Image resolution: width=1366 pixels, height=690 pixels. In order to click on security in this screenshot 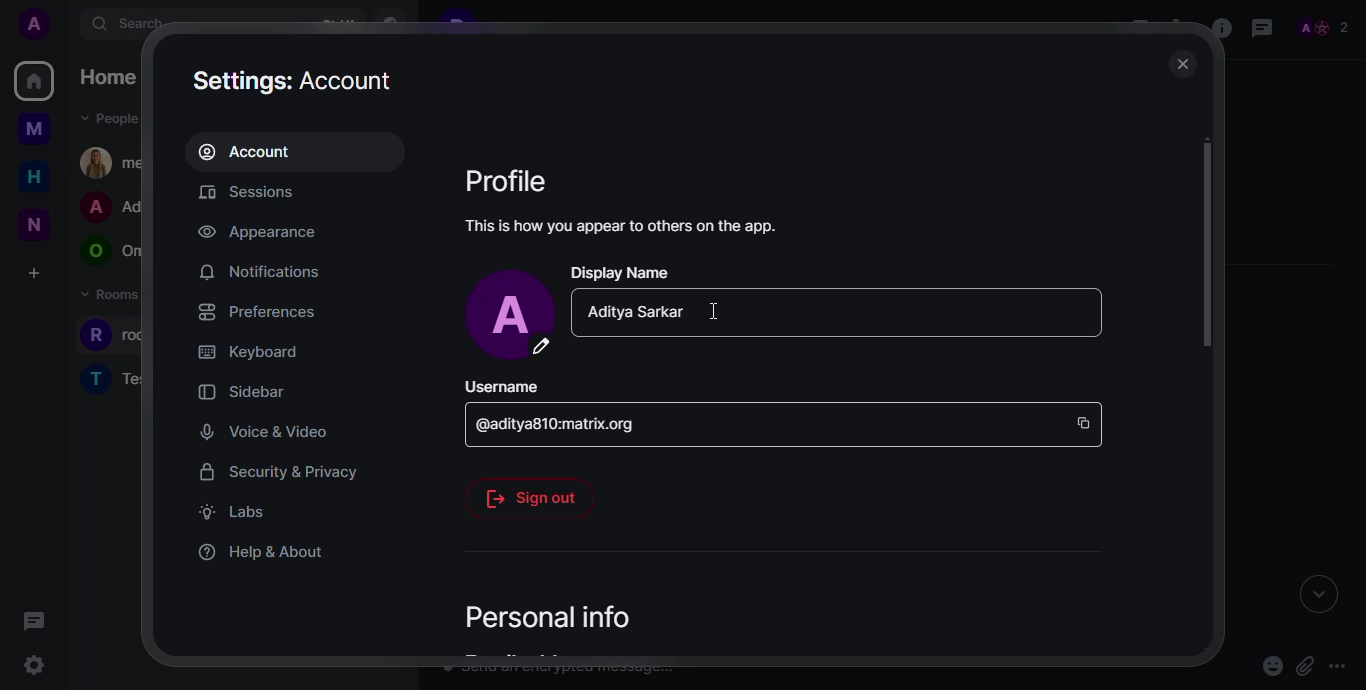, I will do `click(278, 471)`.